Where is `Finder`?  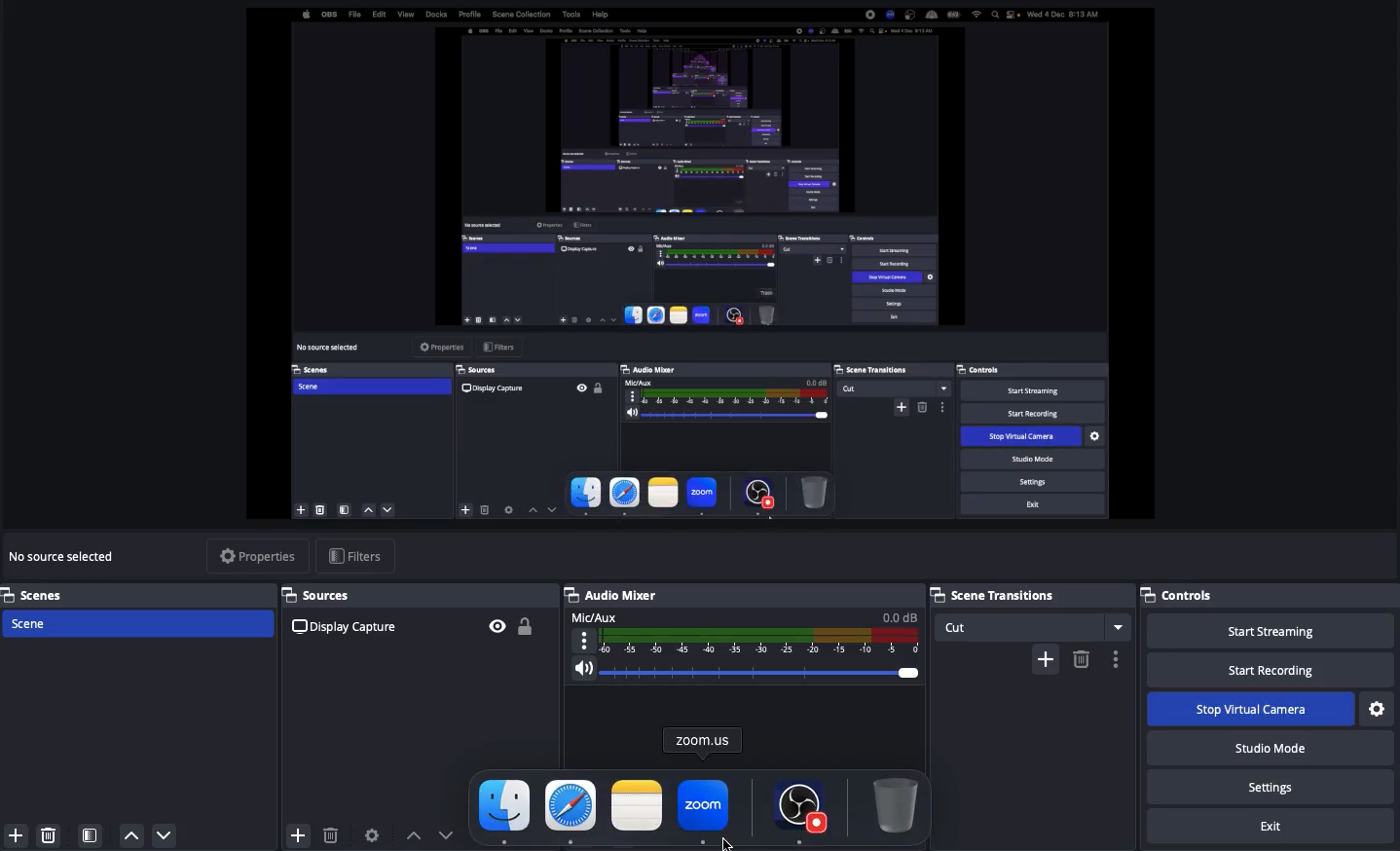 Finder is located at coordinates (505, 810).